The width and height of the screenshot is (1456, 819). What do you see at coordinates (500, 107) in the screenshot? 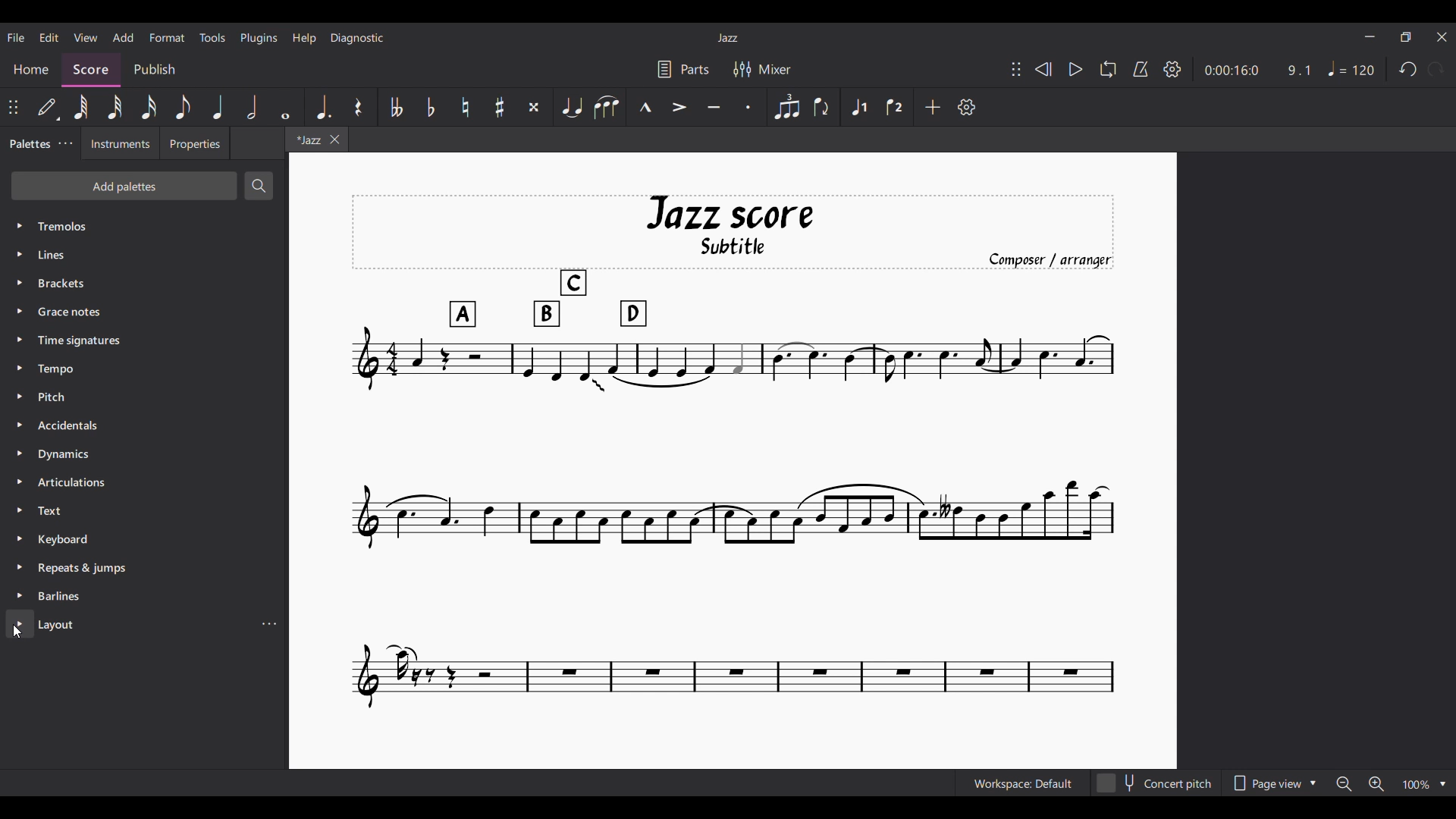
I see `Toggle sharp` at bounding box center [500, 107].